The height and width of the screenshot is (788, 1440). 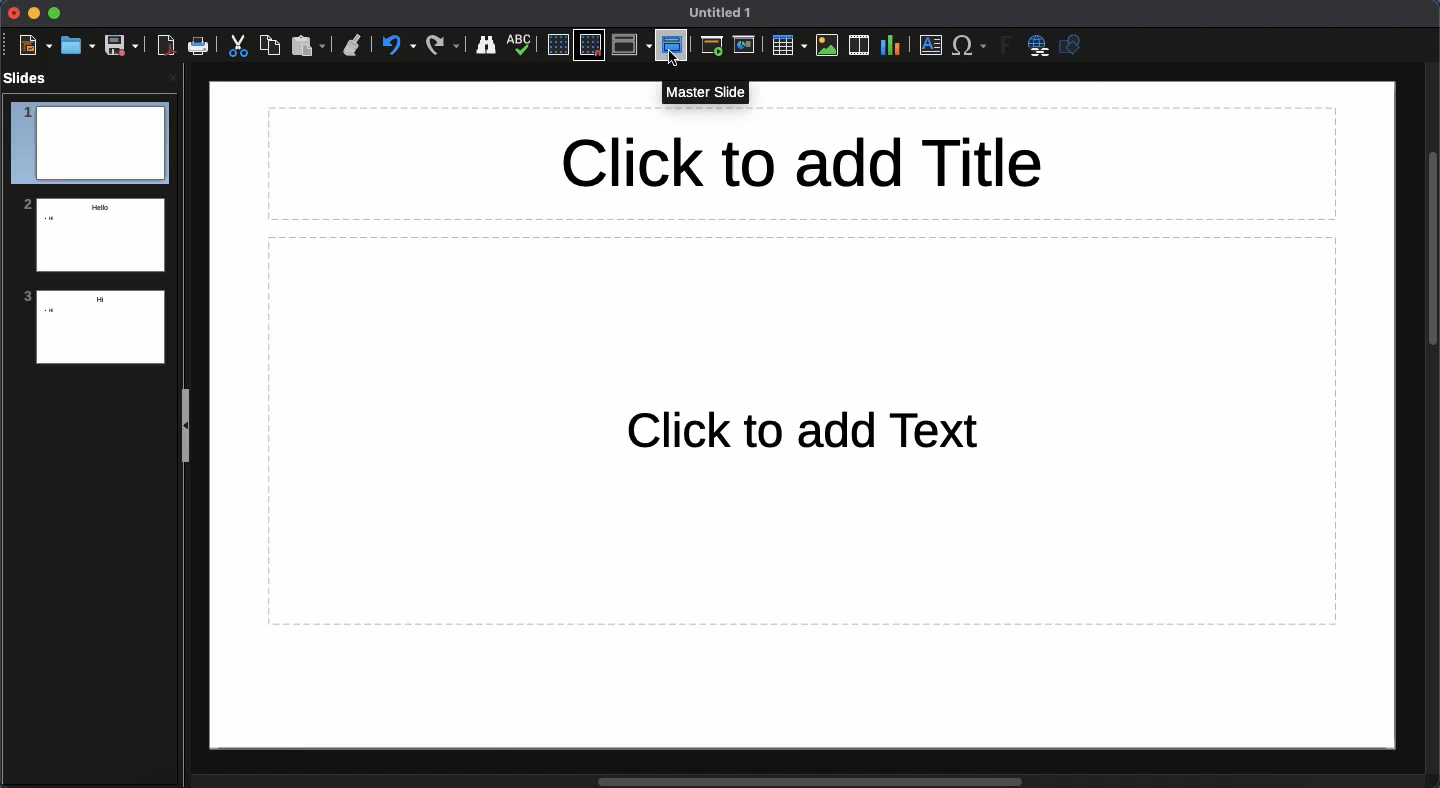 What do you see at coordinates (121, 46) in the screenshot?
I see `Save` at bounding box center [121, 46].